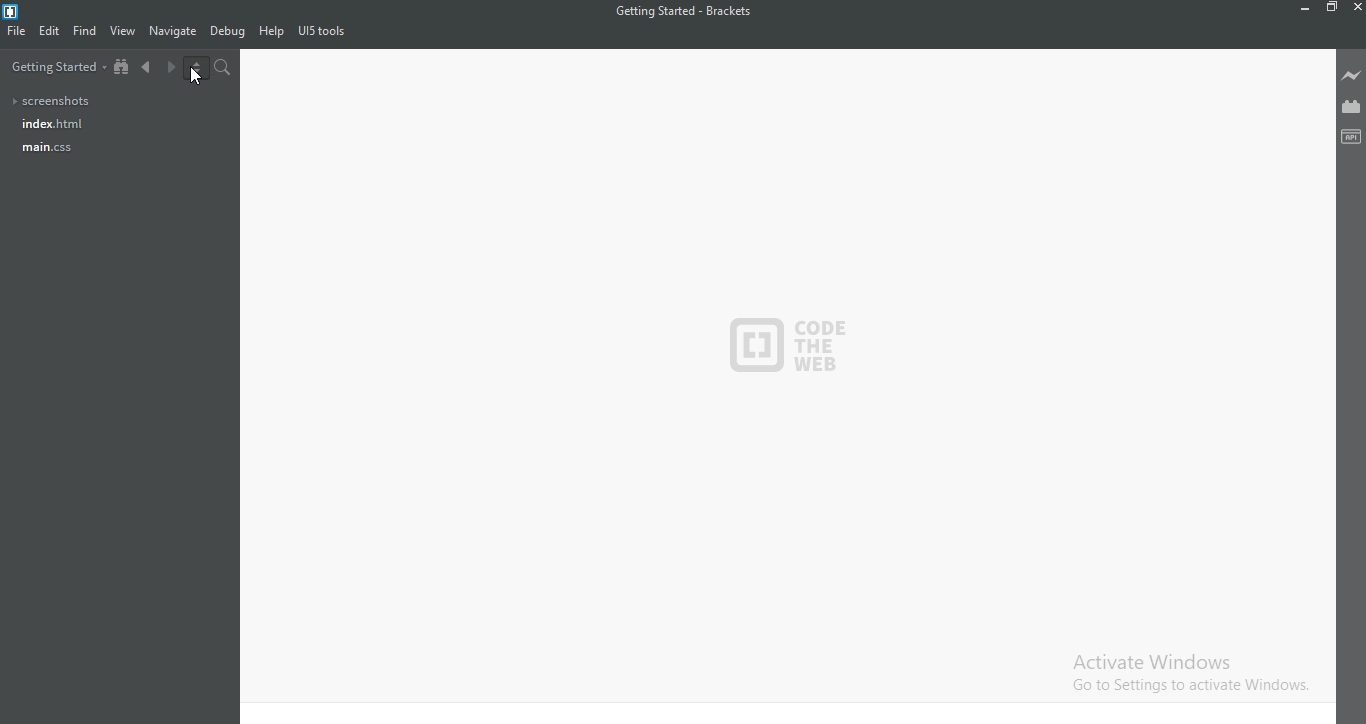 The image size is (1366, 724). What do you see at coordinates (1186, 673) in the screenshot?
I see `Activate Windows
Go to Settings to activate Windows.` at bounding box center [1186, 673].